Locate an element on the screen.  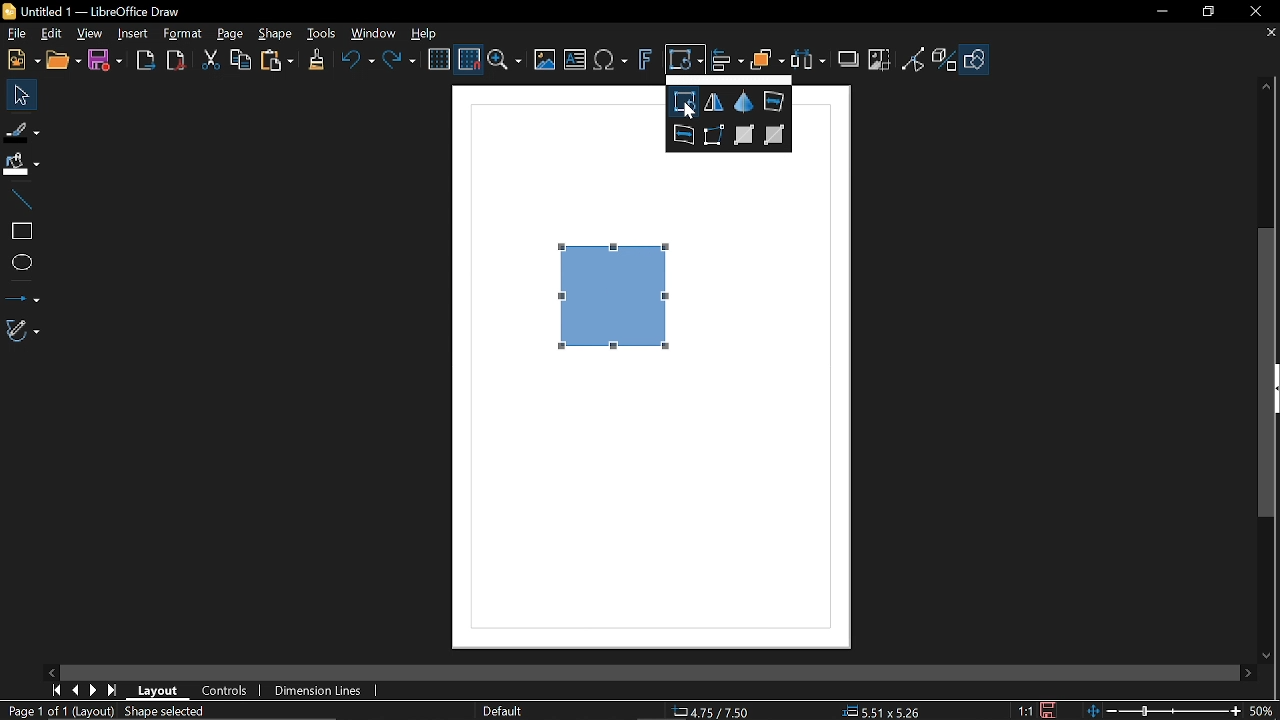
LibreOffice Logo is located at coordinates (9, 12).